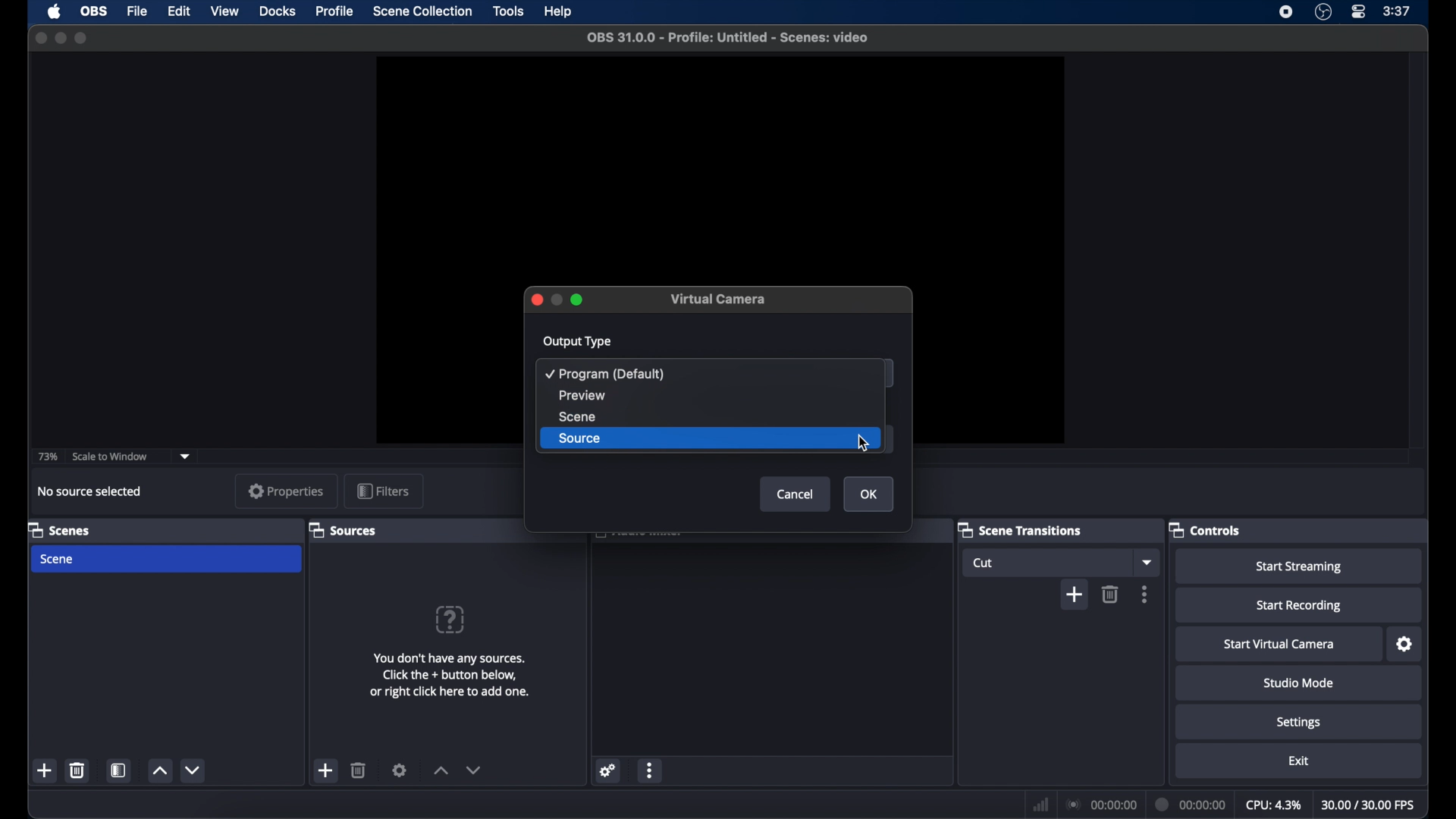 The height and width of the screenshot is (819, 1456). Describe the element at coordinates (868, 495) in the screenshot. I see `OK` at that location.